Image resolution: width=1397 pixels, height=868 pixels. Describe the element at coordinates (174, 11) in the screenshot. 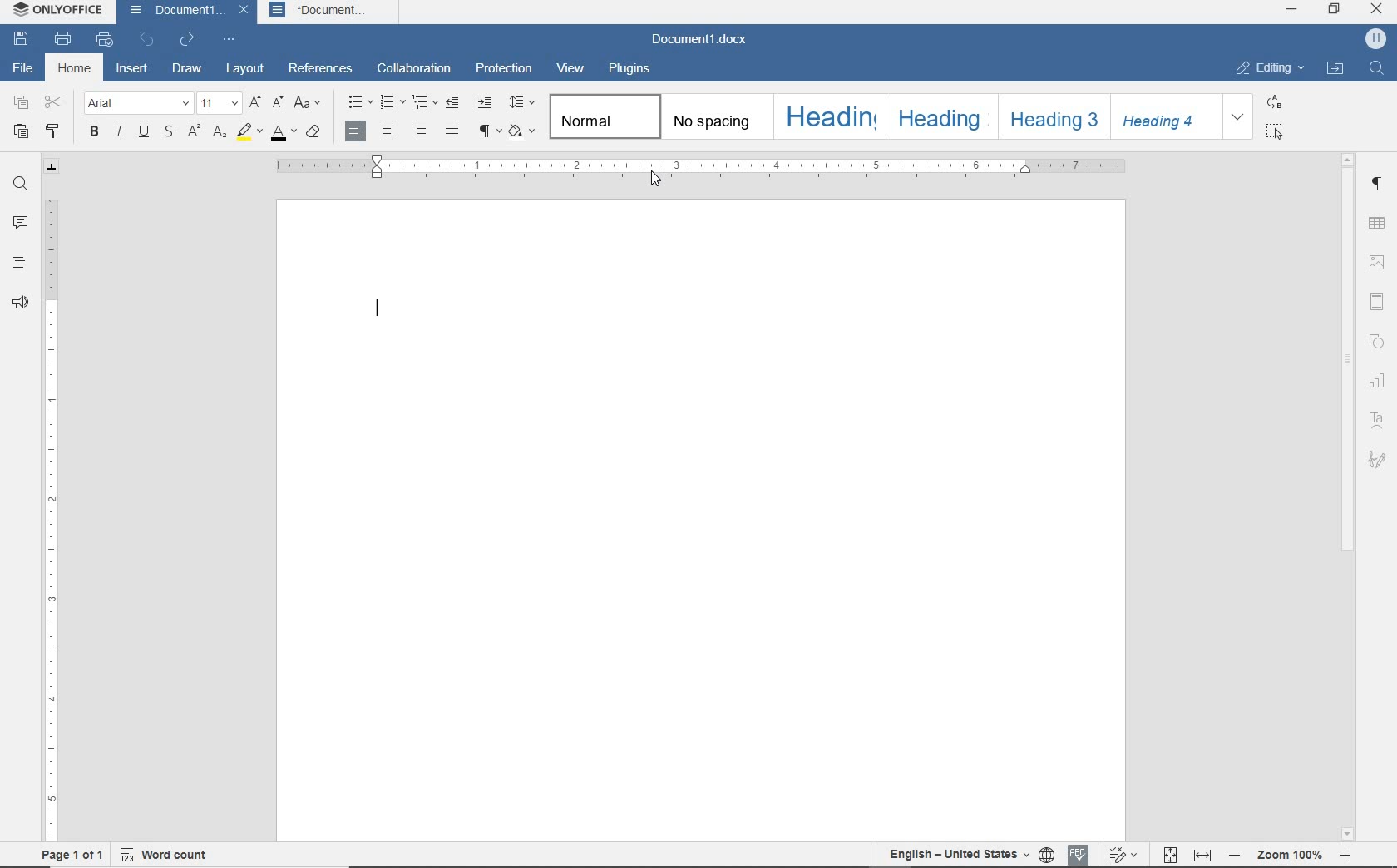

I see `DOCUMENT1` at that location.